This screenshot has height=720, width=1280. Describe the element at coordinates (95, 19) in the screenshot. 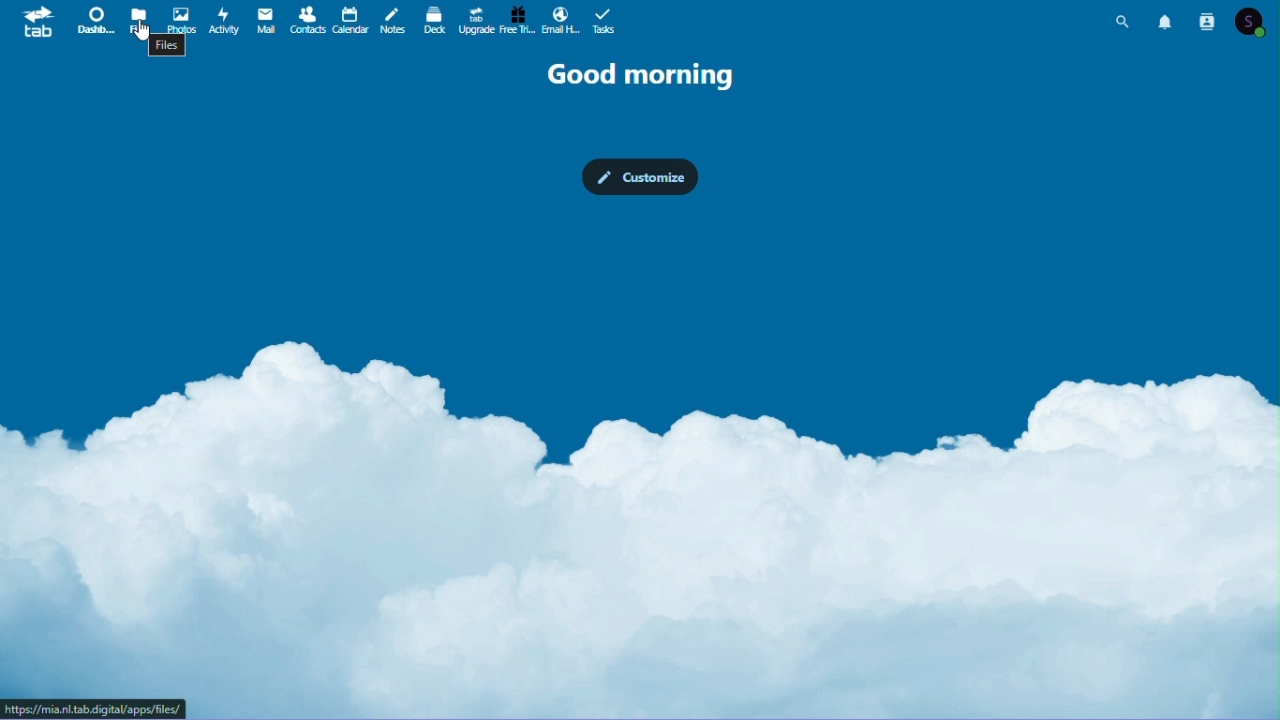

I see `dashboard` at that location.